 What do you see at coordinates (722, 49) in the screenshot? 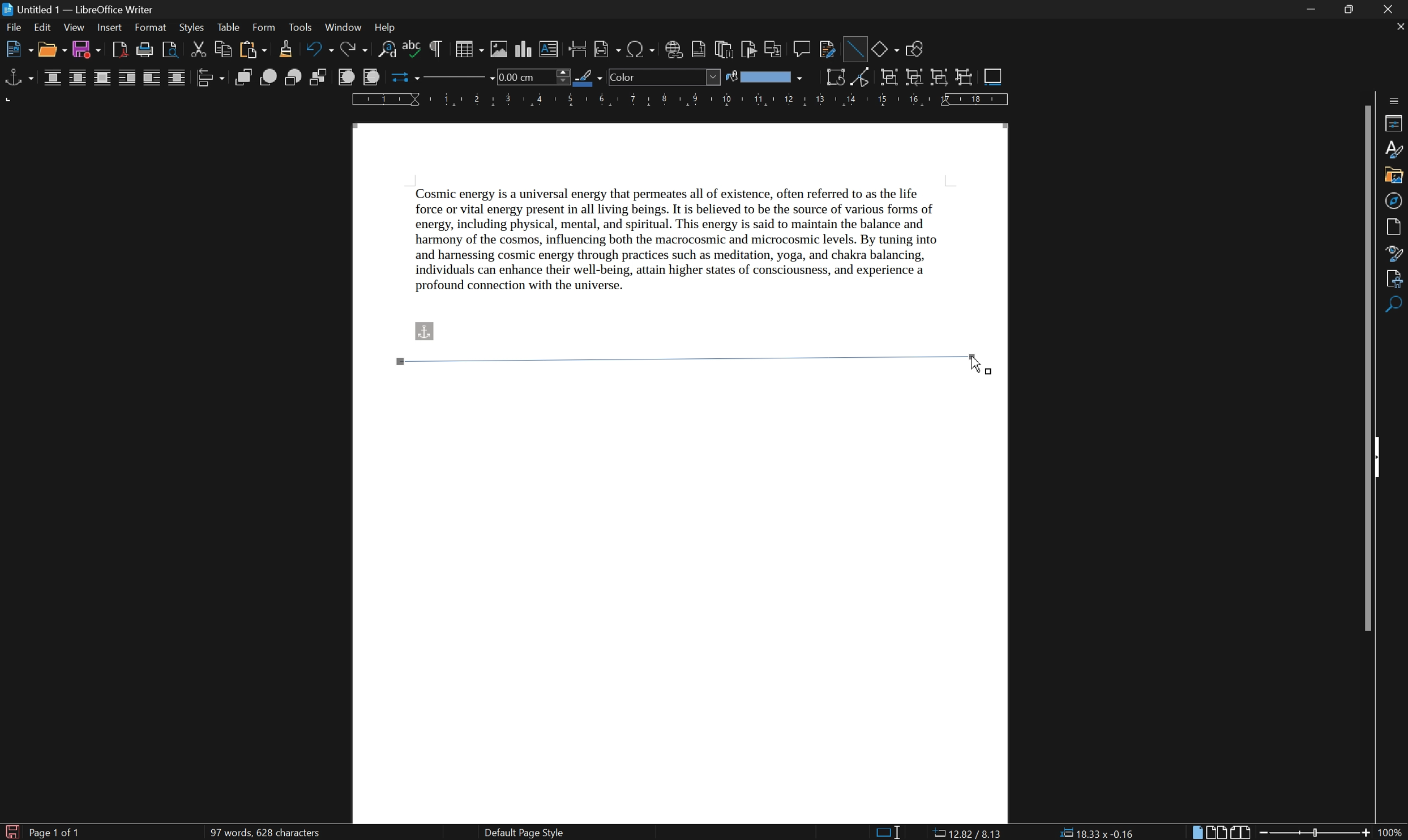
I see `insert endnote` at bounding box center [722, 49].